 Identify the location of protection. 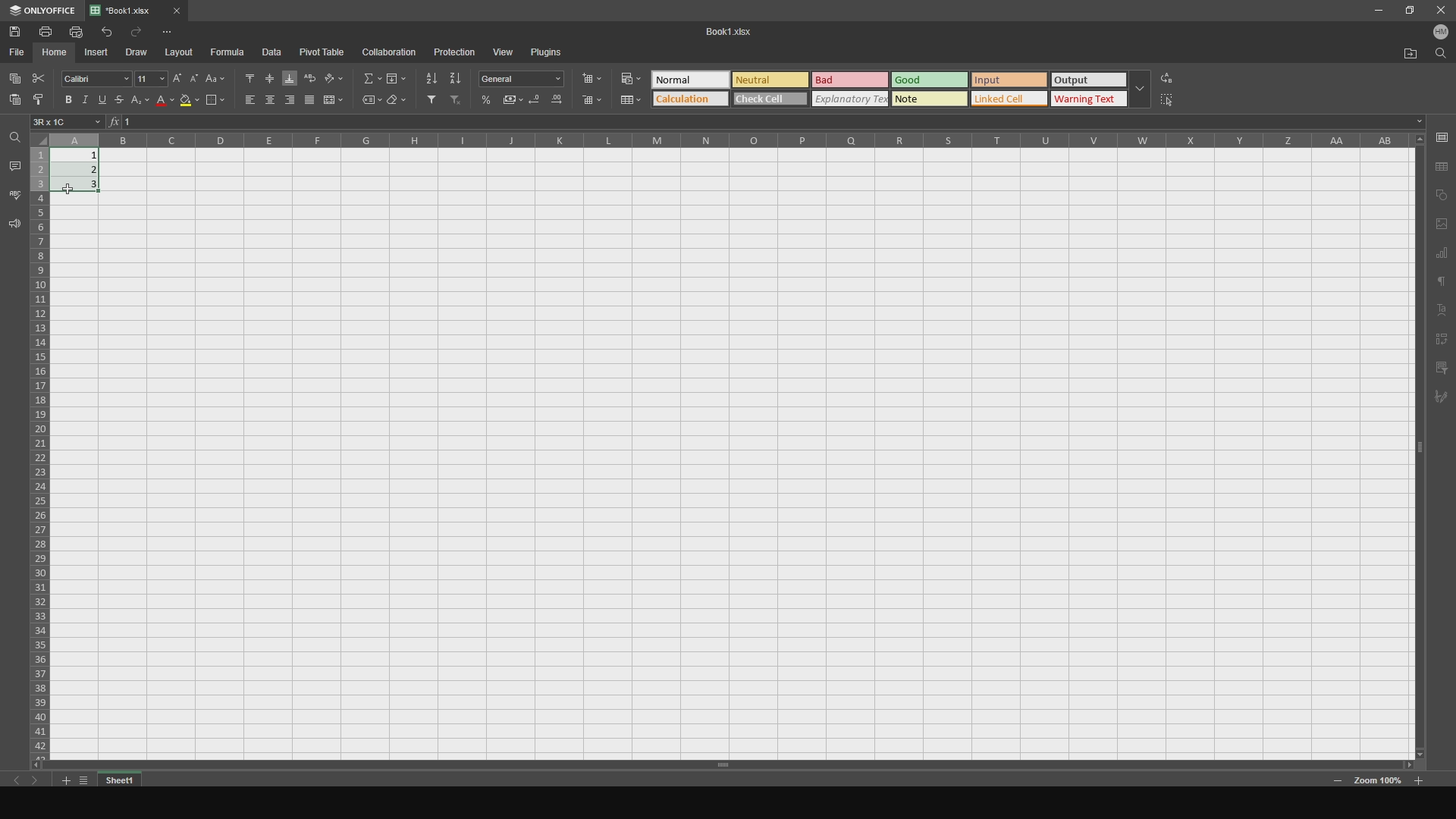
(453, 52).